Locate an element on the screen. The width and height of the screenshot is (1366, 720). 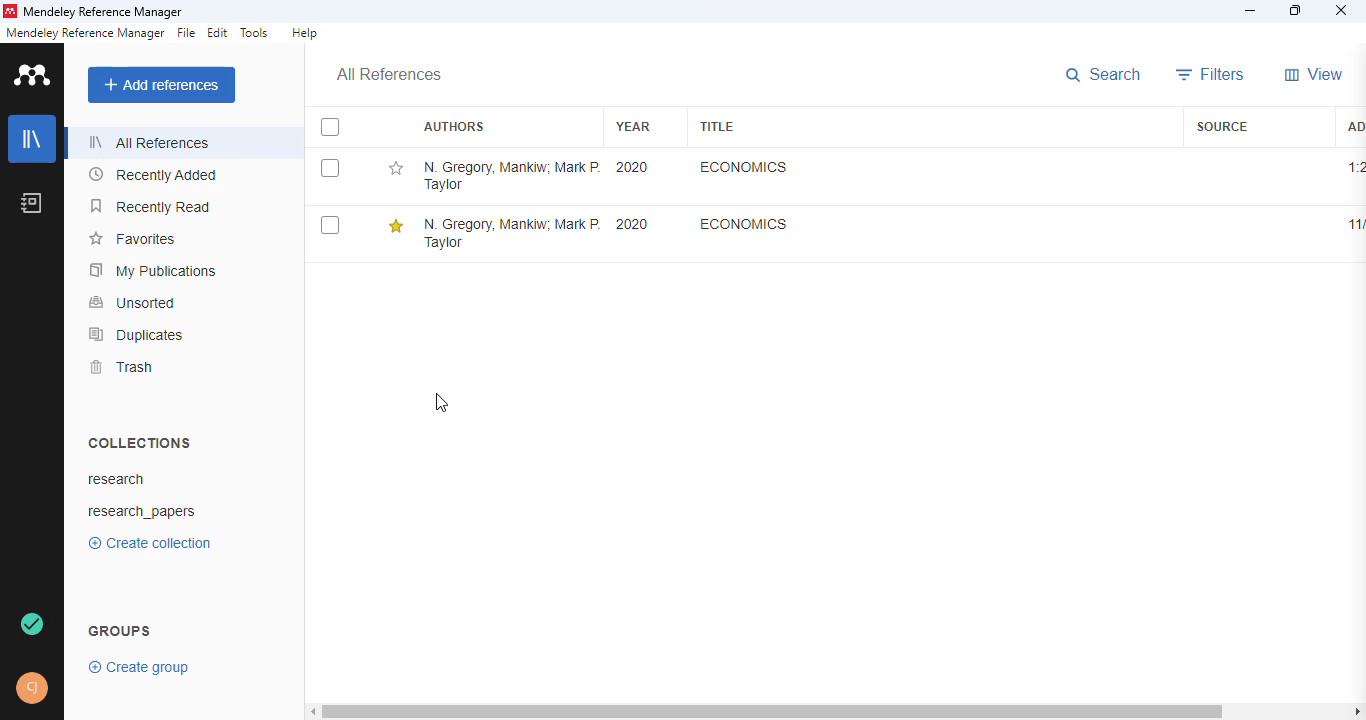
N. Gregory Mankiw, Mark P. Taylor is located at coordinates (511, 232).